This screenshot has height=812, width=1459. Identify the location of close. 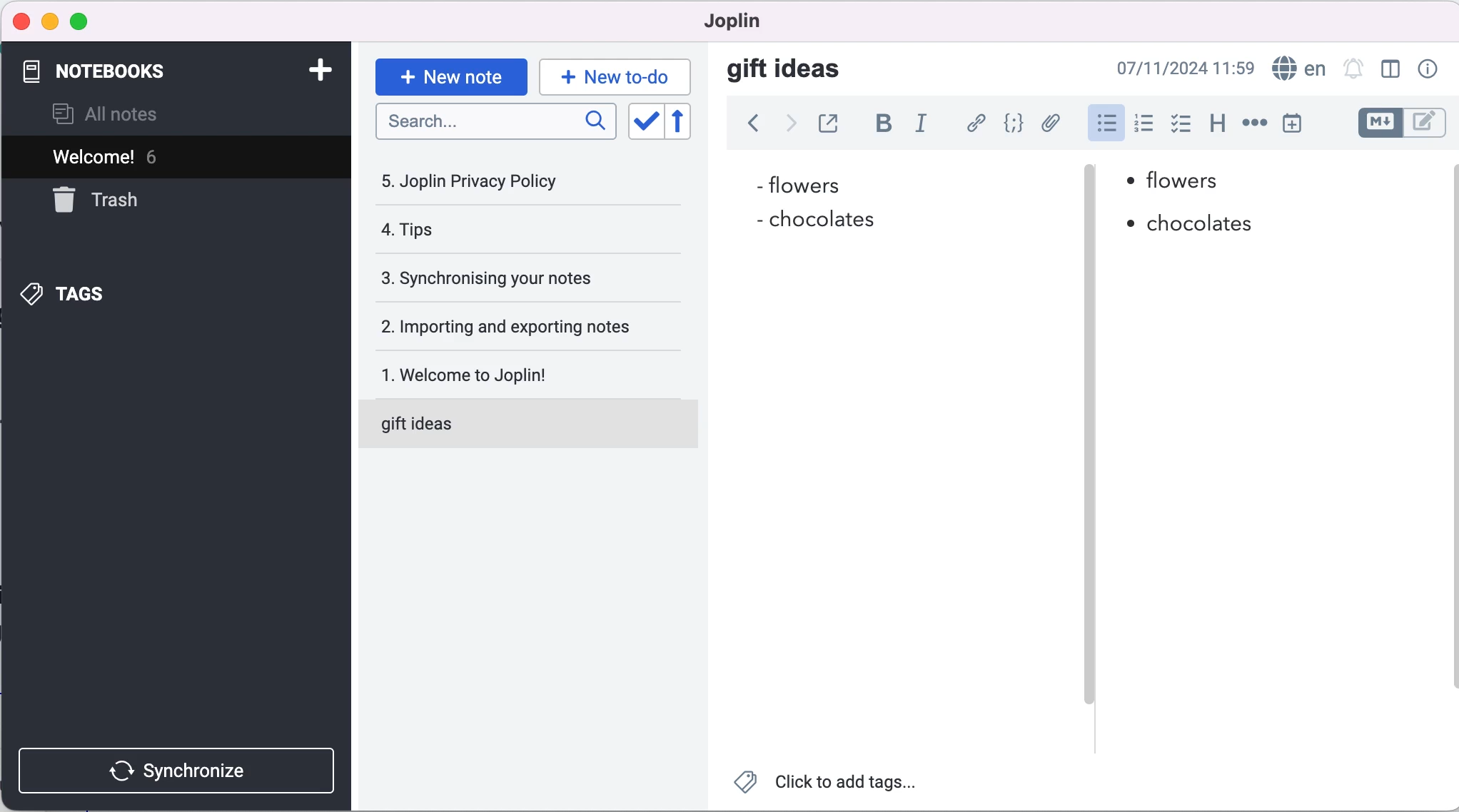
(22, 22).